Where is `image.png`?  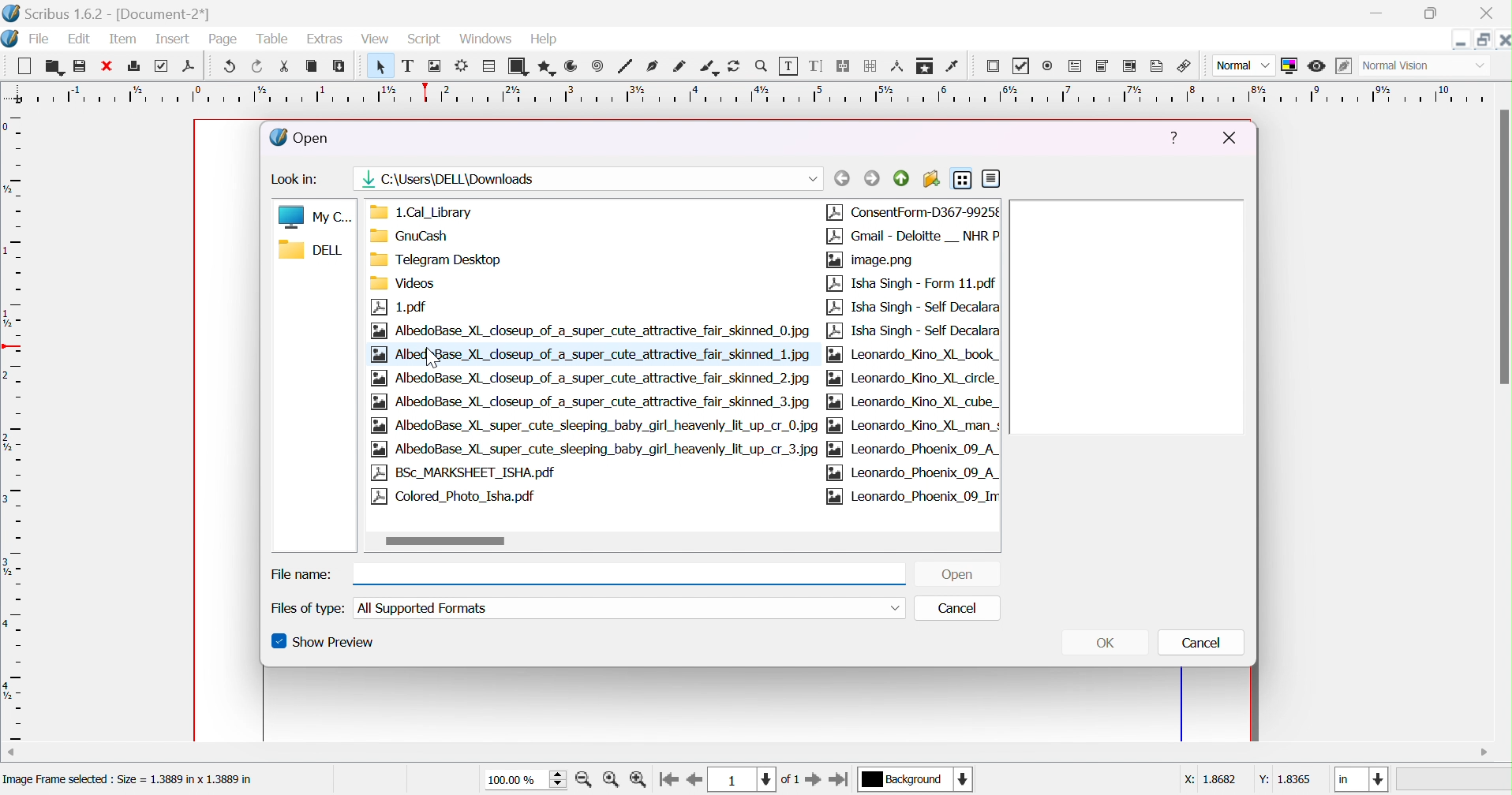
image.png is located at coordinates (870, 260).